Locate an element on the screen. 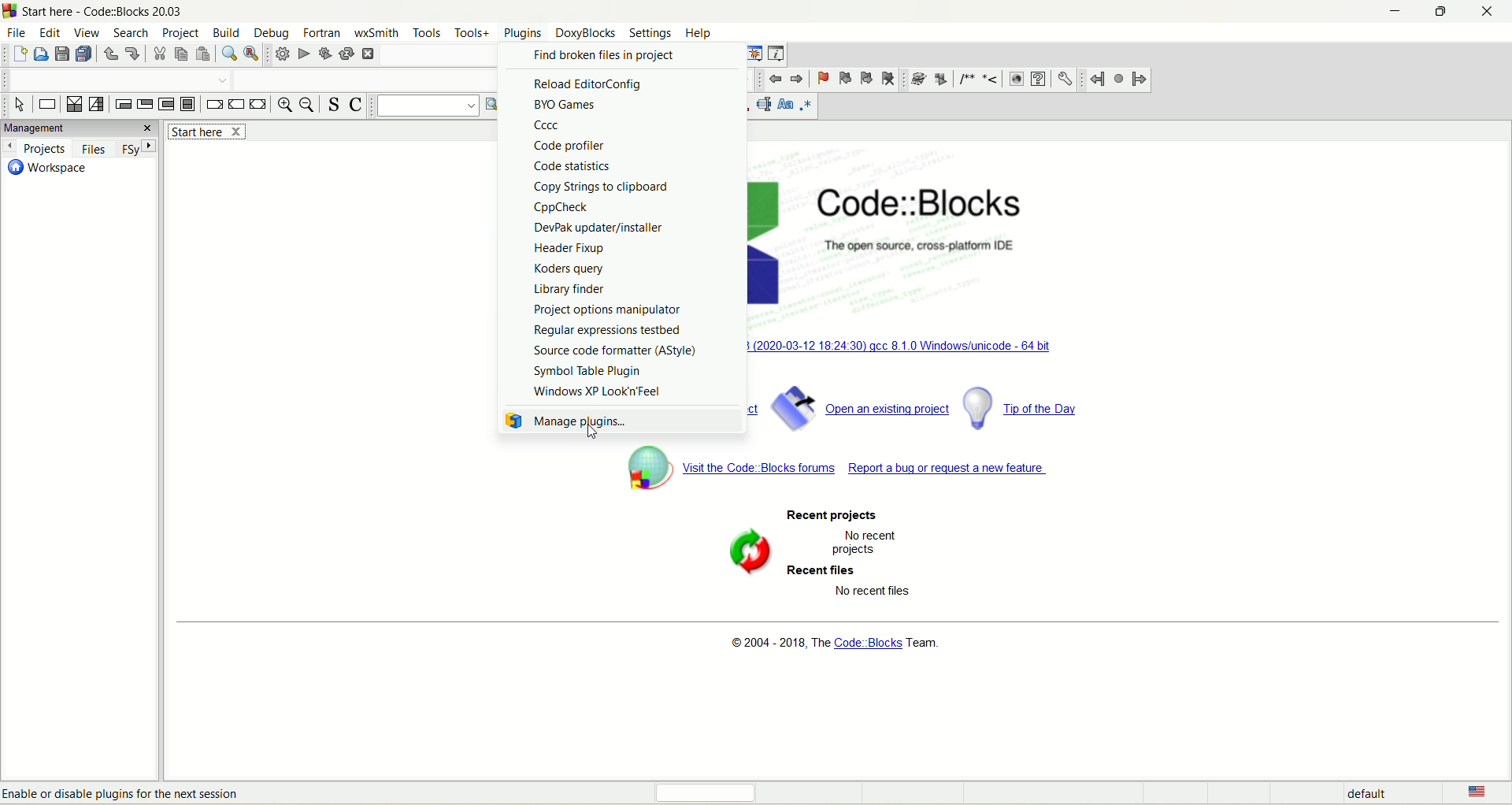 The height and width of the screenshot is (805, 1512). block instructions is located at coordinates (188, 104).